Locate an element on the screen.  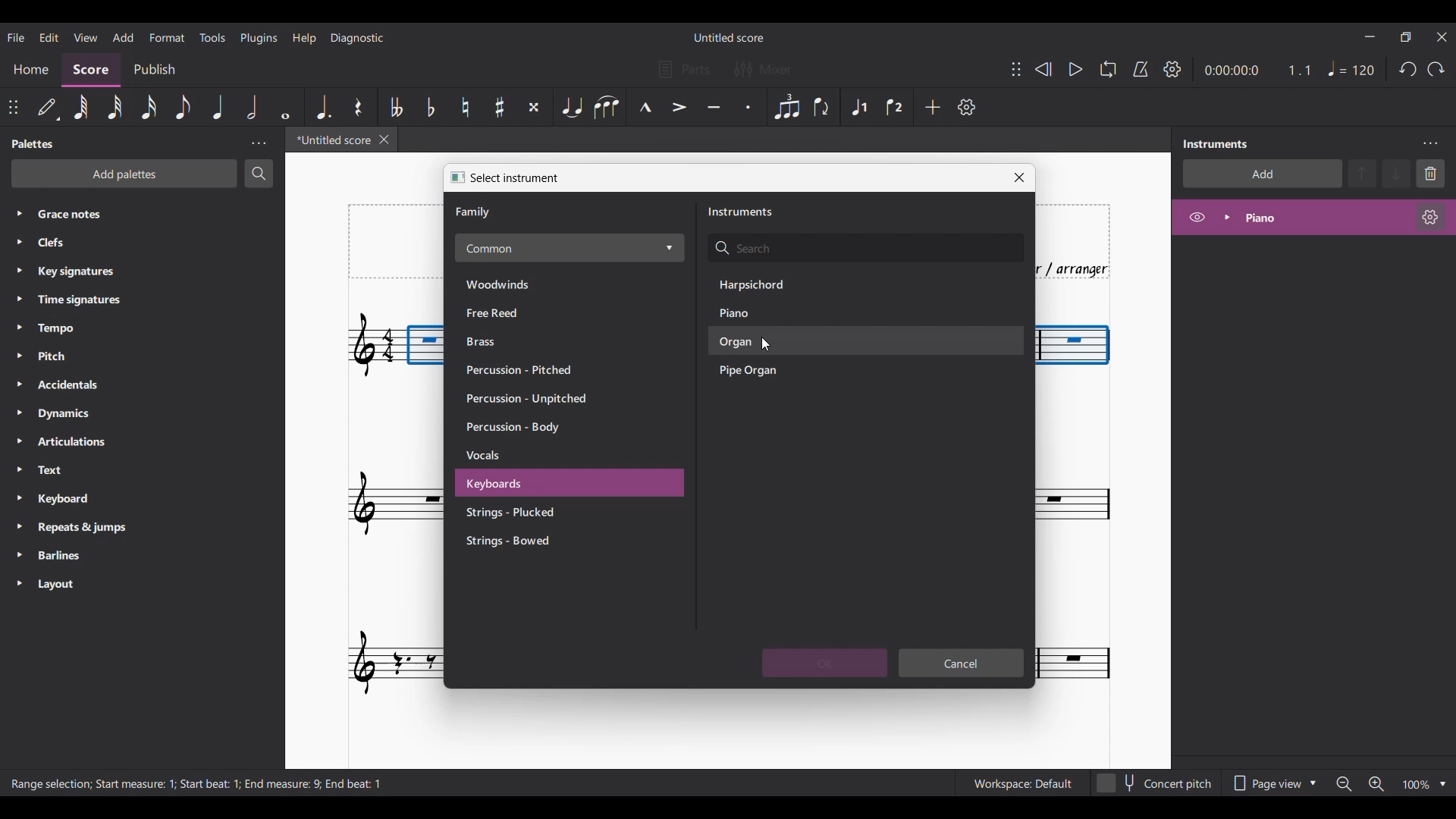
Close interface is located at coordinates (1442, 37).